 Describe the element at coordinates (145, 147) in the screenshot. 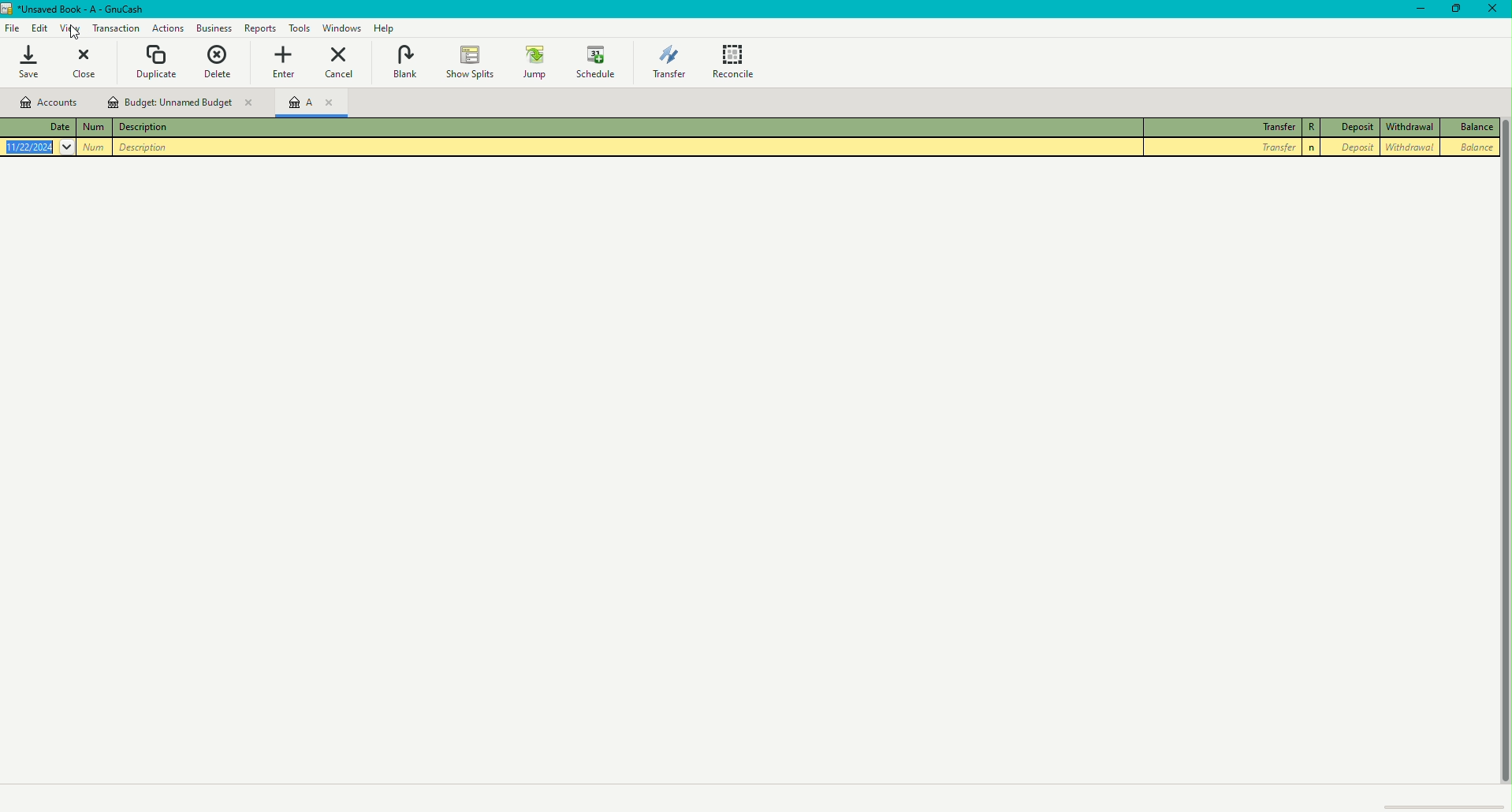

I see `description` at that location.